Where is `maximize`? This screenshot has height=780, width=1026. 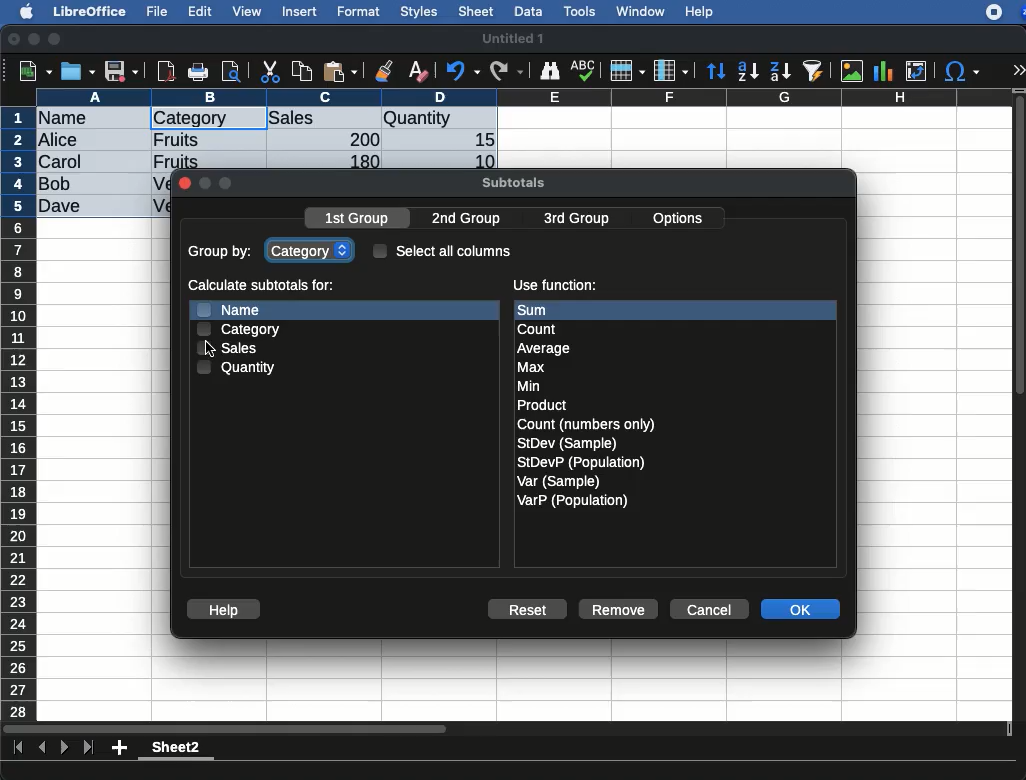
maximize is located at coordinates (57, 40).